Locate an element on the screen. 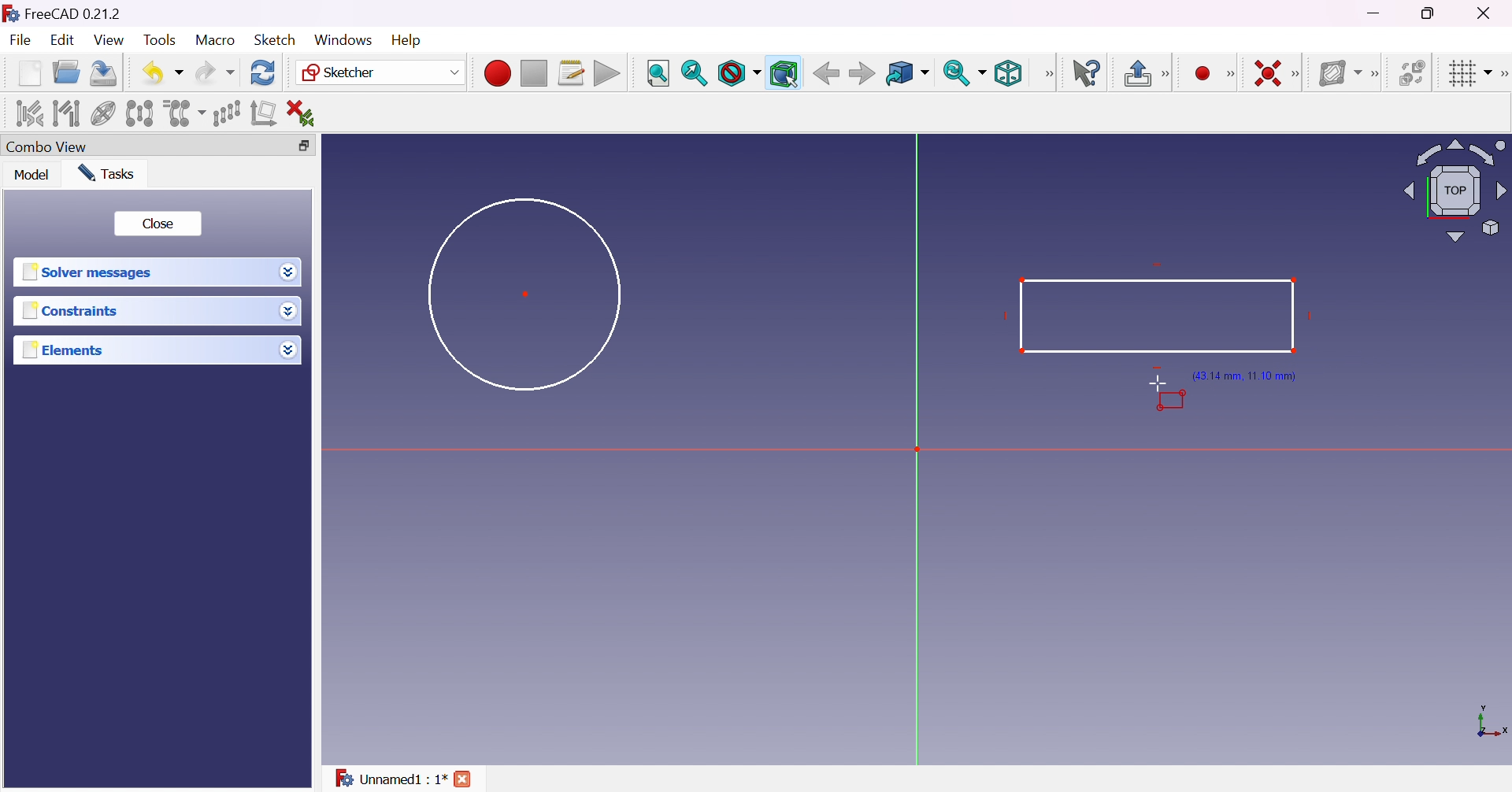 This screenshot has width=1512, height=792. Save is located at coordinates (101, 72).